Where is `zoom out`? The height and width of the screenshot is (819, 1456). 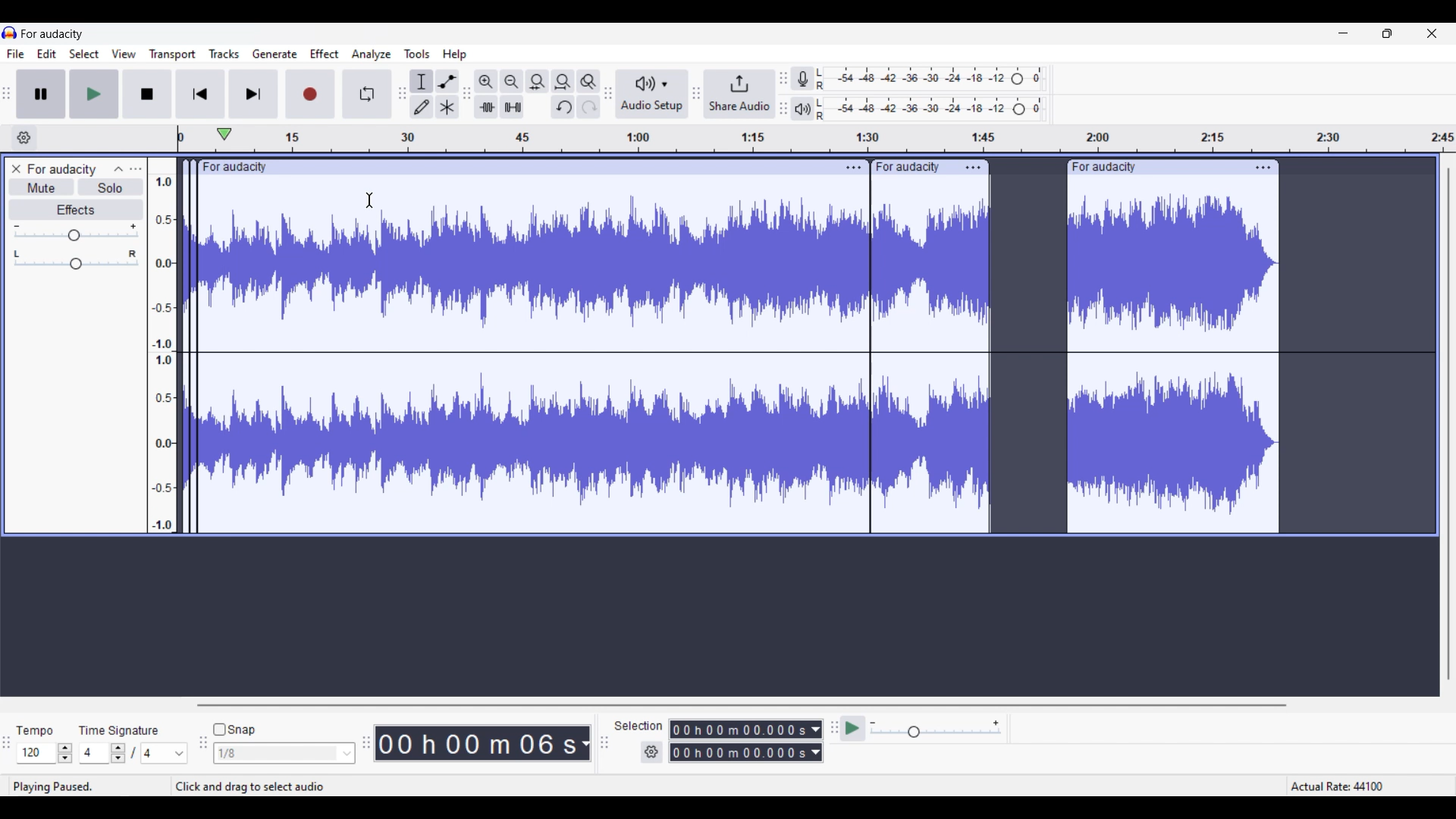 zoom out is located at coordinates (512, 81).